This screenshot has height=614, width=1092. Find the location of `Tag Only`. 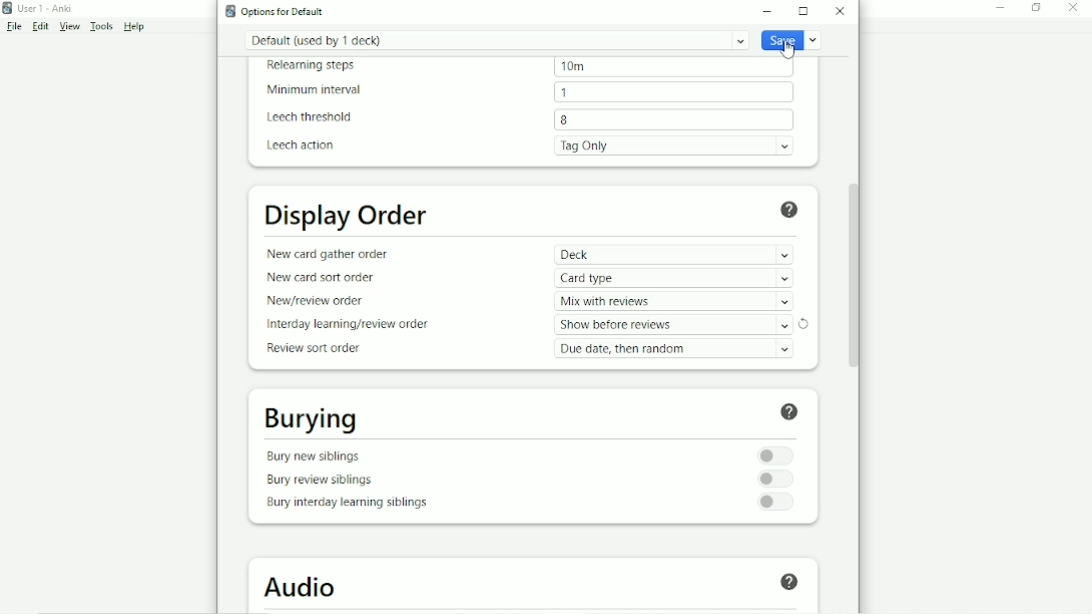

Tag Only is located at coordinates (674, 146).